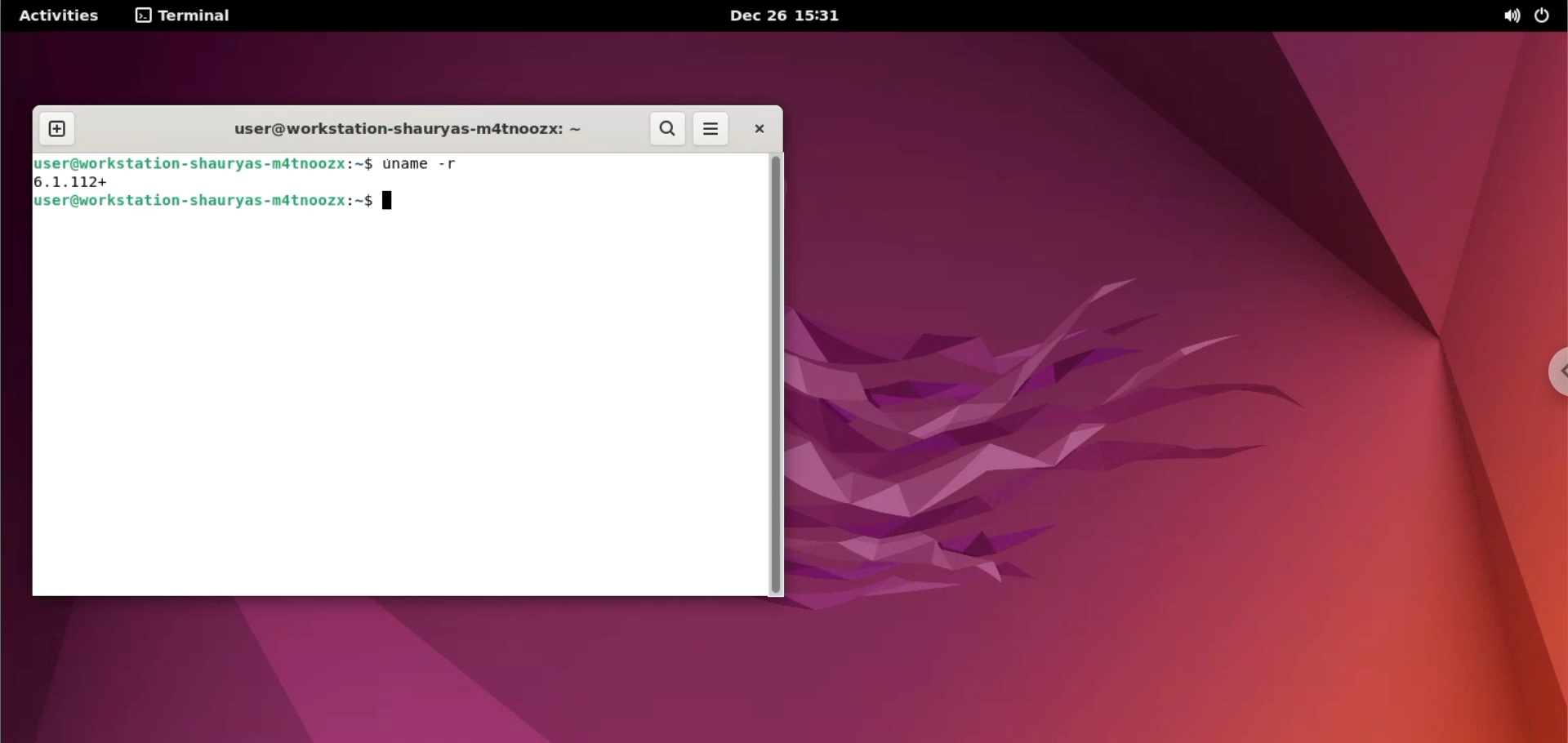  Describe the element at coordinates (423, 164) in the screenshot. I see `uname -r` at that location.